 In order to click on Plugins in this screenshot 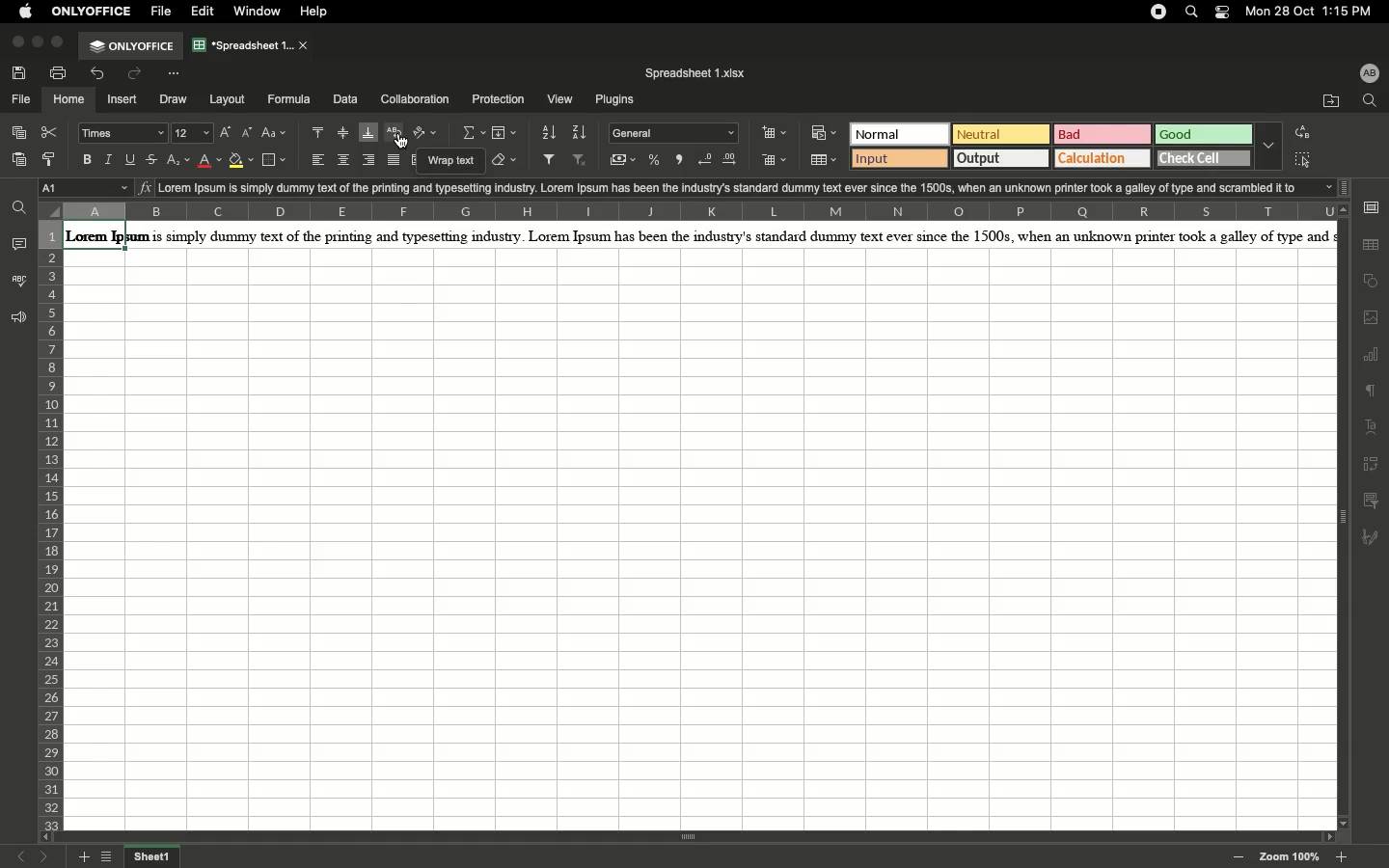, I will do `click(616, 101)`.